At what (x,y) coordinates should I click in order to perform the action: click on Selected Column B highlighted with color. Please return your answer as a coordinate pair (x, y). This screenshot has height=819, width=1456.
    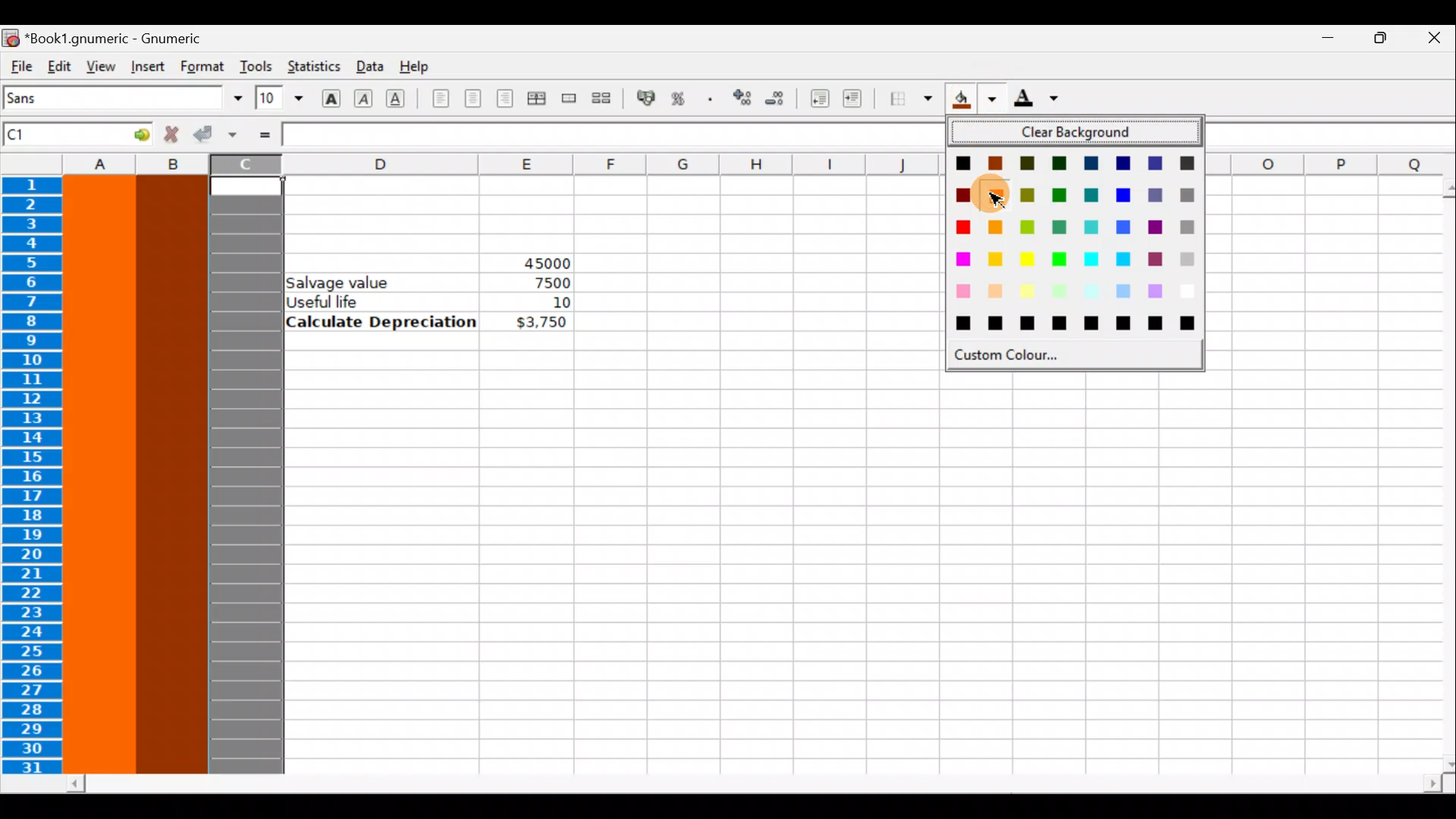
    Looking at the image, I should click on (172, 472).